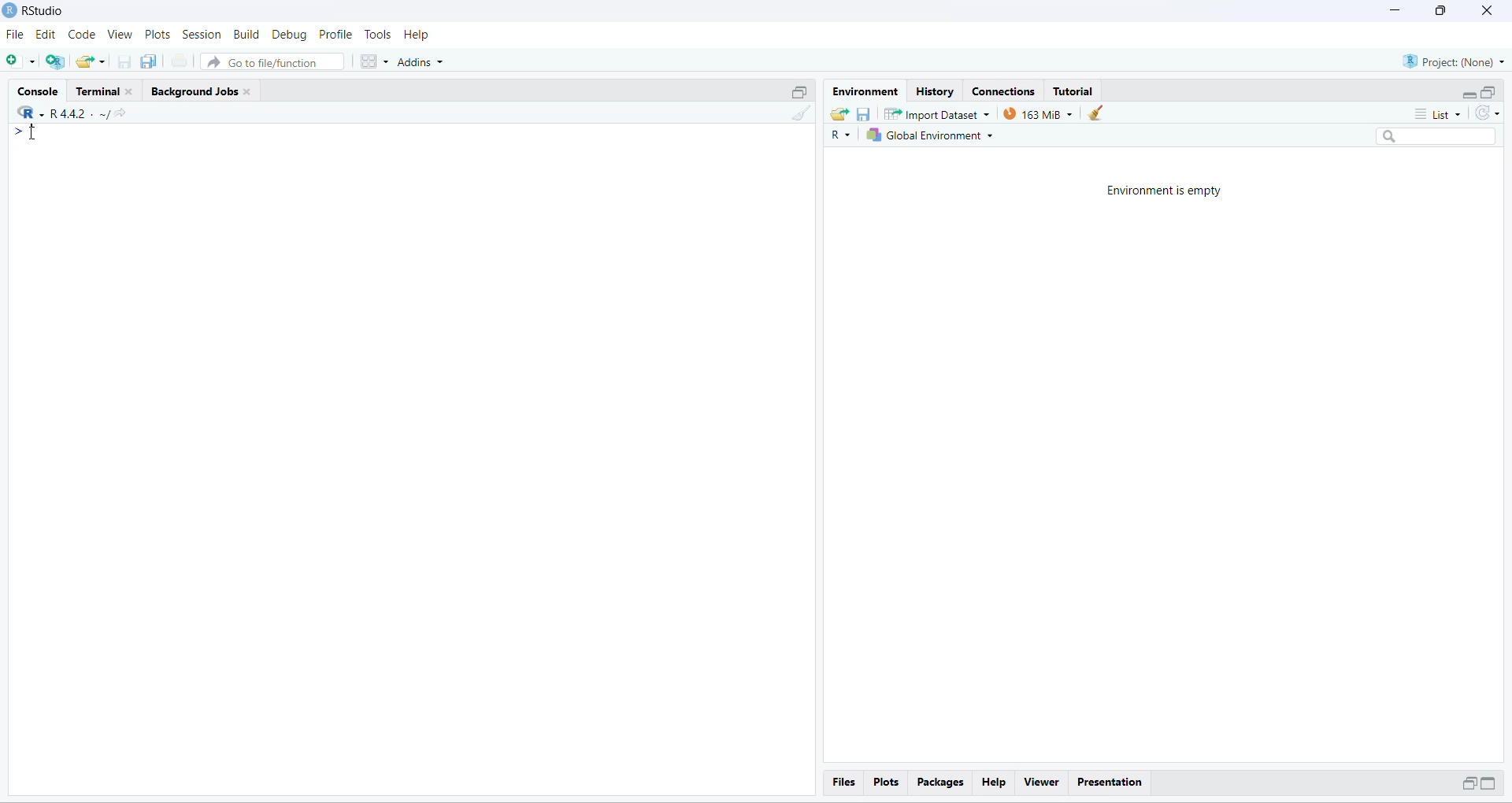 The height and width of the screenshot is (803, 1512). I want to click on minimize, so click(1392, 10).